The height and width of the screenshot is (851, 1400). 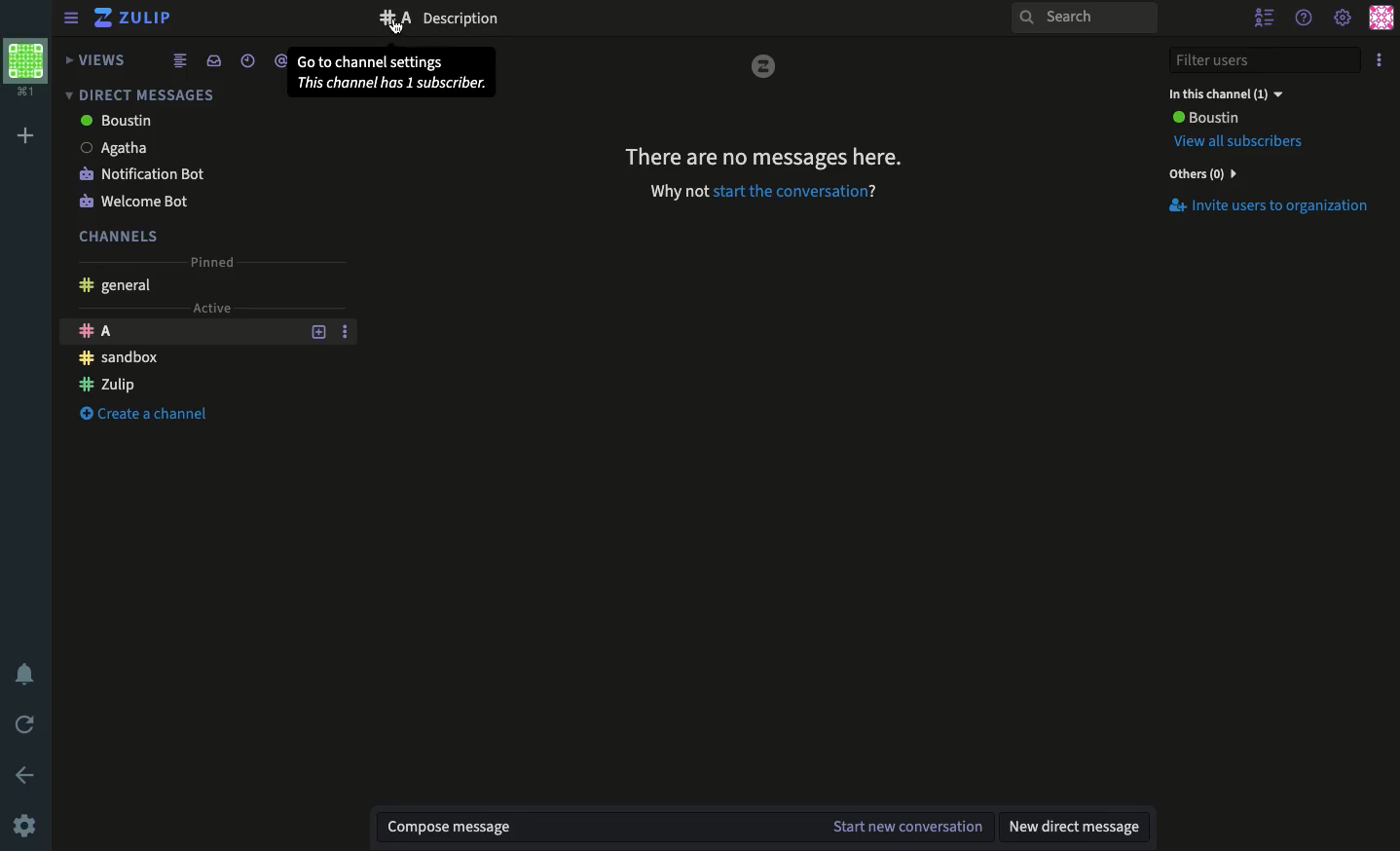 What do you see at coordinates (1199, 174) in the screenshot?
I see `others (o)` at bounding box center [1199, 174].